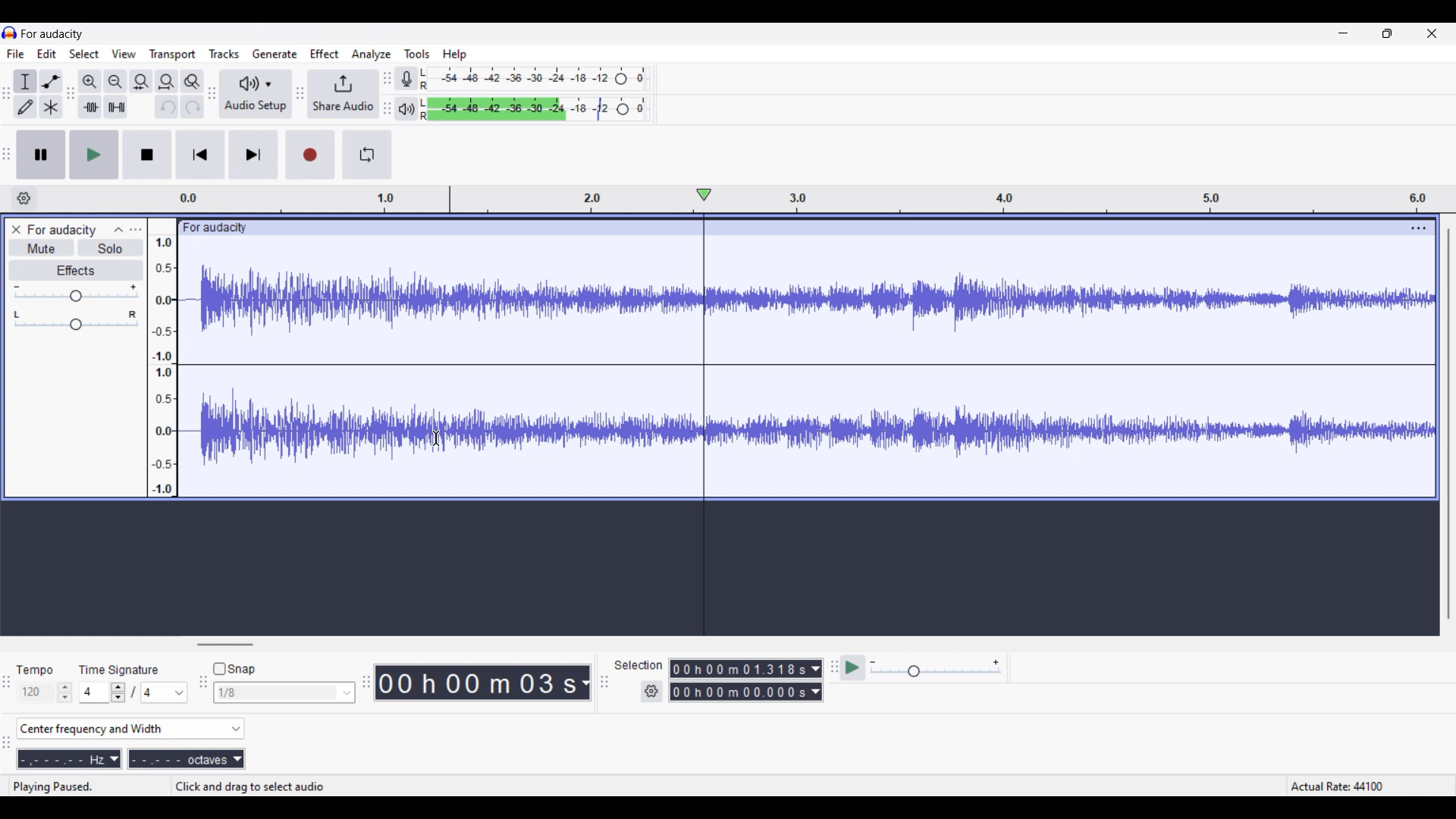 The height and width of the screenshot is (819, 1456). What do you see at coordinates (454, 55) in the screenshot?
I see `Help menu` at bounding box center [454, 55].